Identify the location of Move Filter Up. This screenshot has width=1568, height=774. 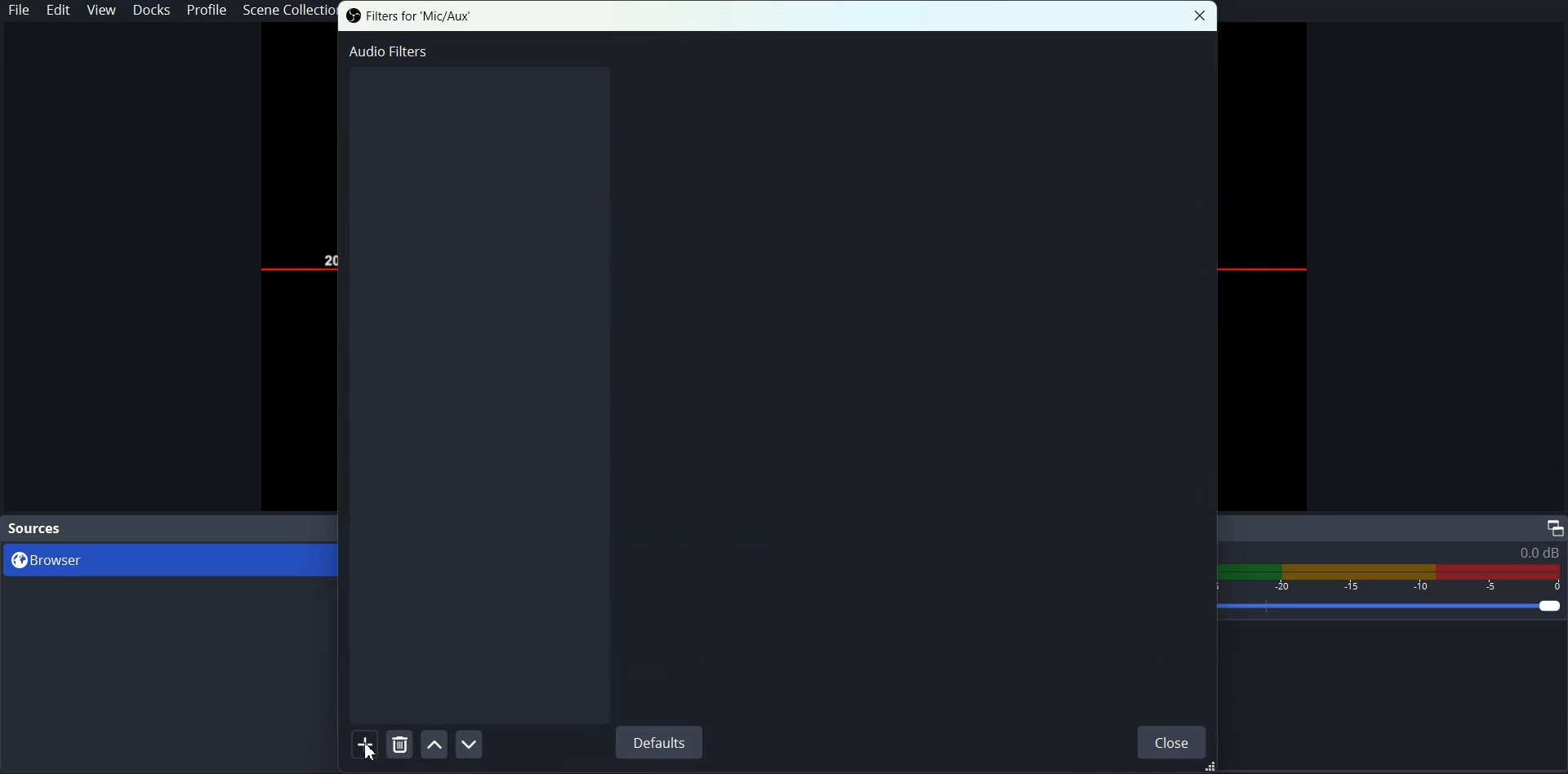
(435, 743).